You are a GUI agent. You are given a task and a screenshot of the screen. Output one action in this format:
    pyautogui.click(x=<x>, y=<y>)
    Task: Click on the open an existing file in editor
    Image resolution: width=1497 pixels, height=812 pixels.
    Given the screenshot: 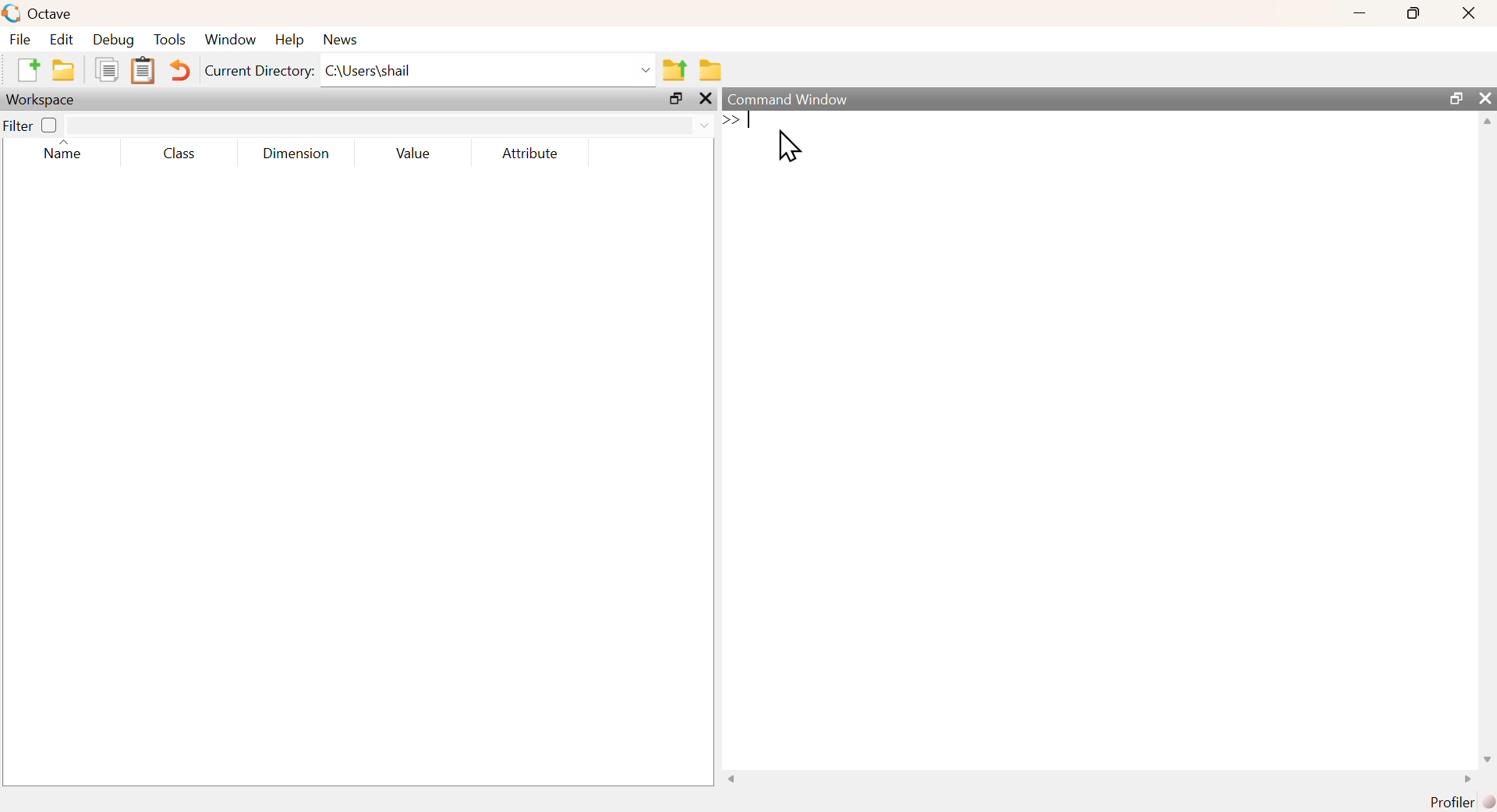 What is the action you would take?
    pyautogui.click(x=65, y=69)
    